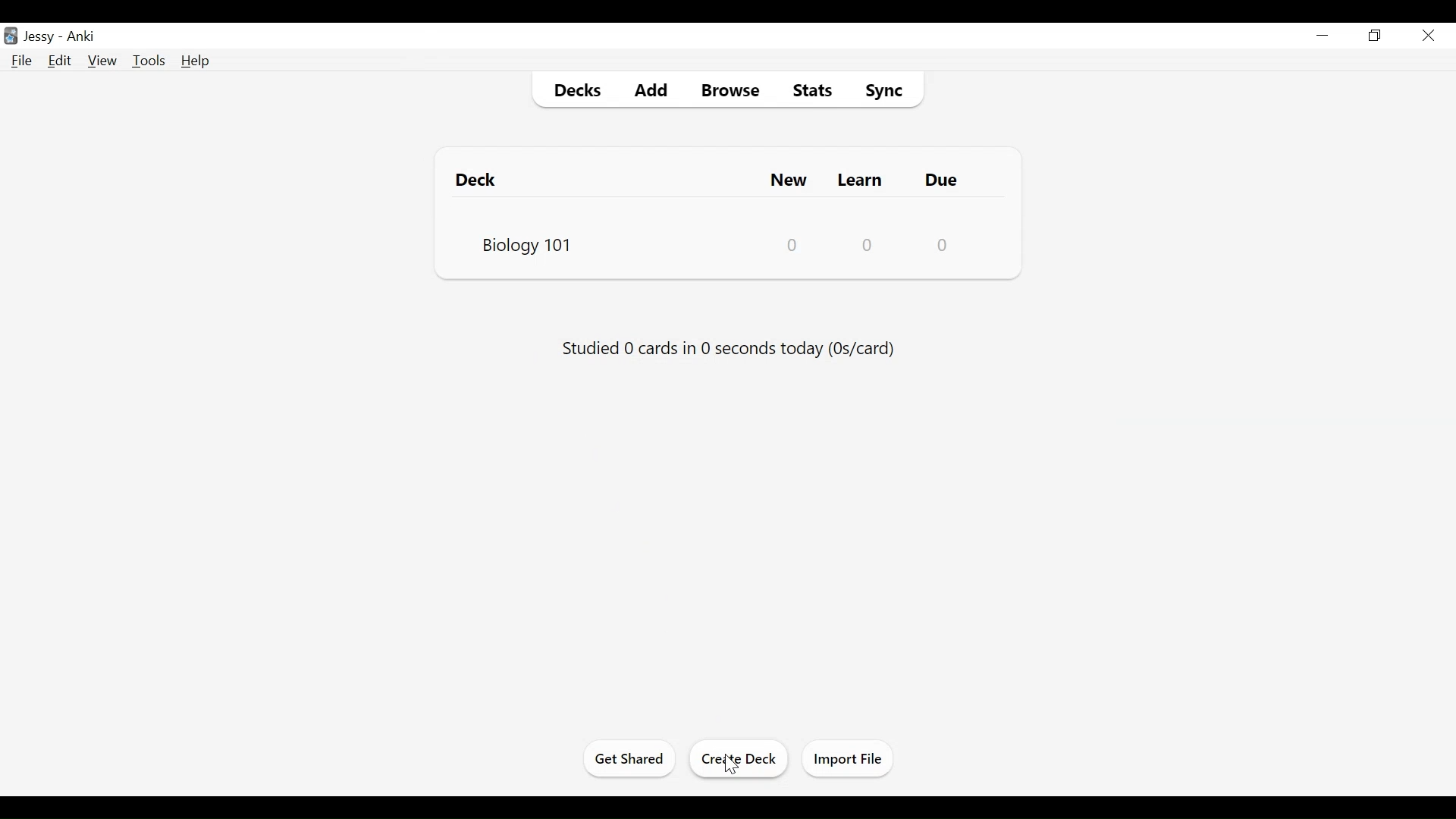 The height and width of the screenshot is (819, 1456). I want to click on Studied count cards per second today, so click(729, 347).